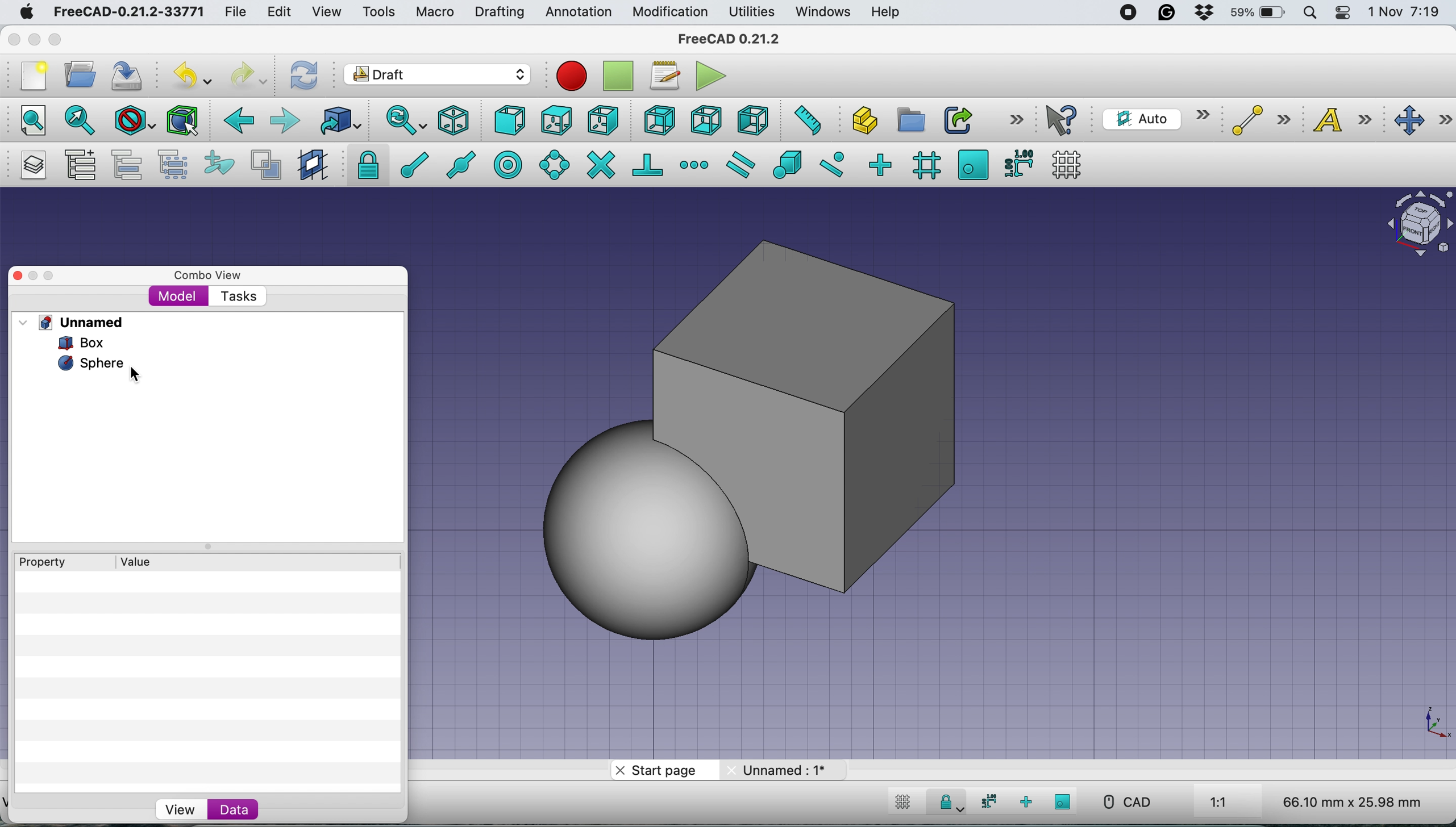  I want to click on tools, so click(378, 13).